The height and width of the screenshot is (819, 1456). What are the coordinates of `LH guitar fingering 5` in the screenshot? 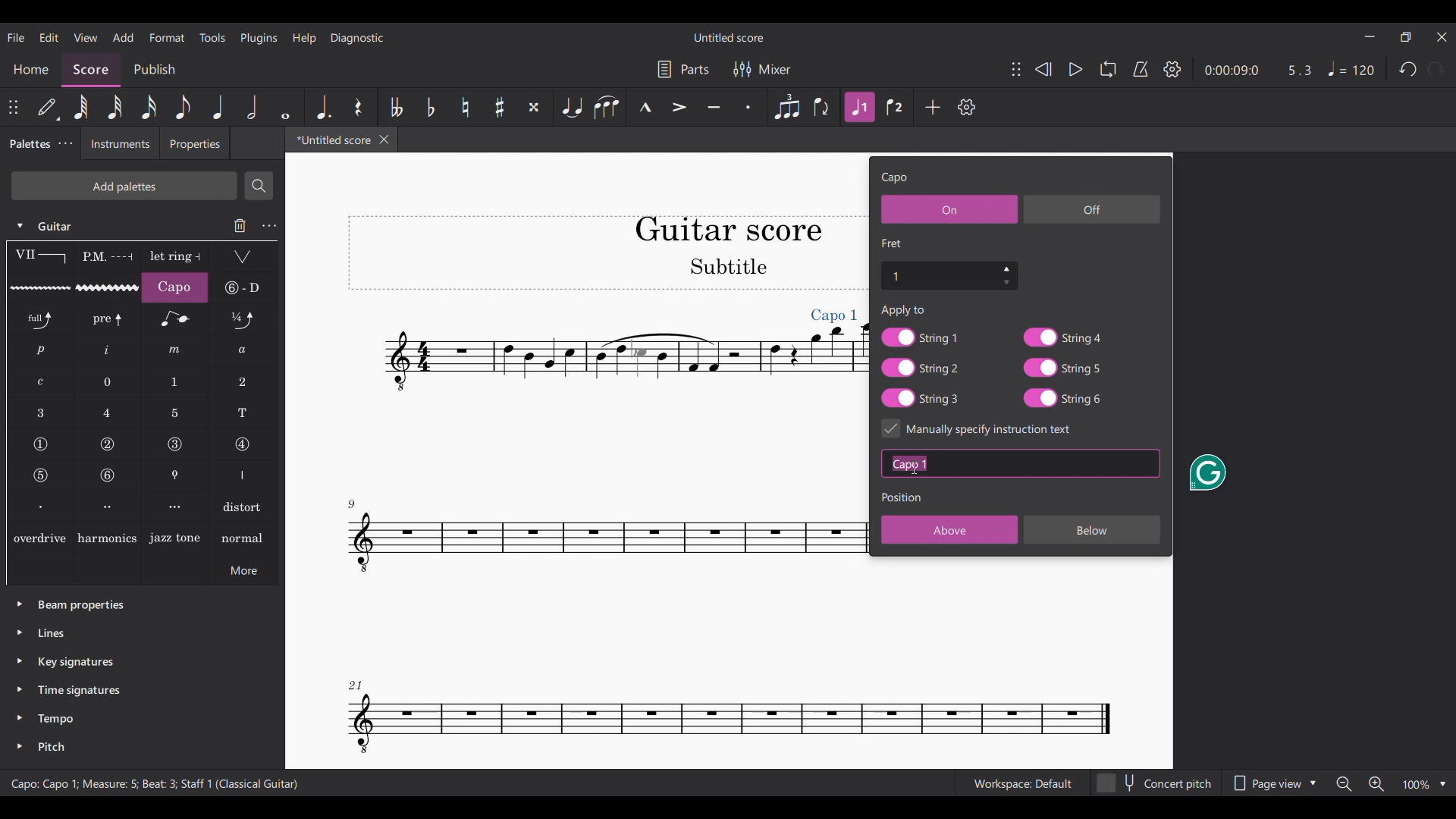 It's located at (175, 413).